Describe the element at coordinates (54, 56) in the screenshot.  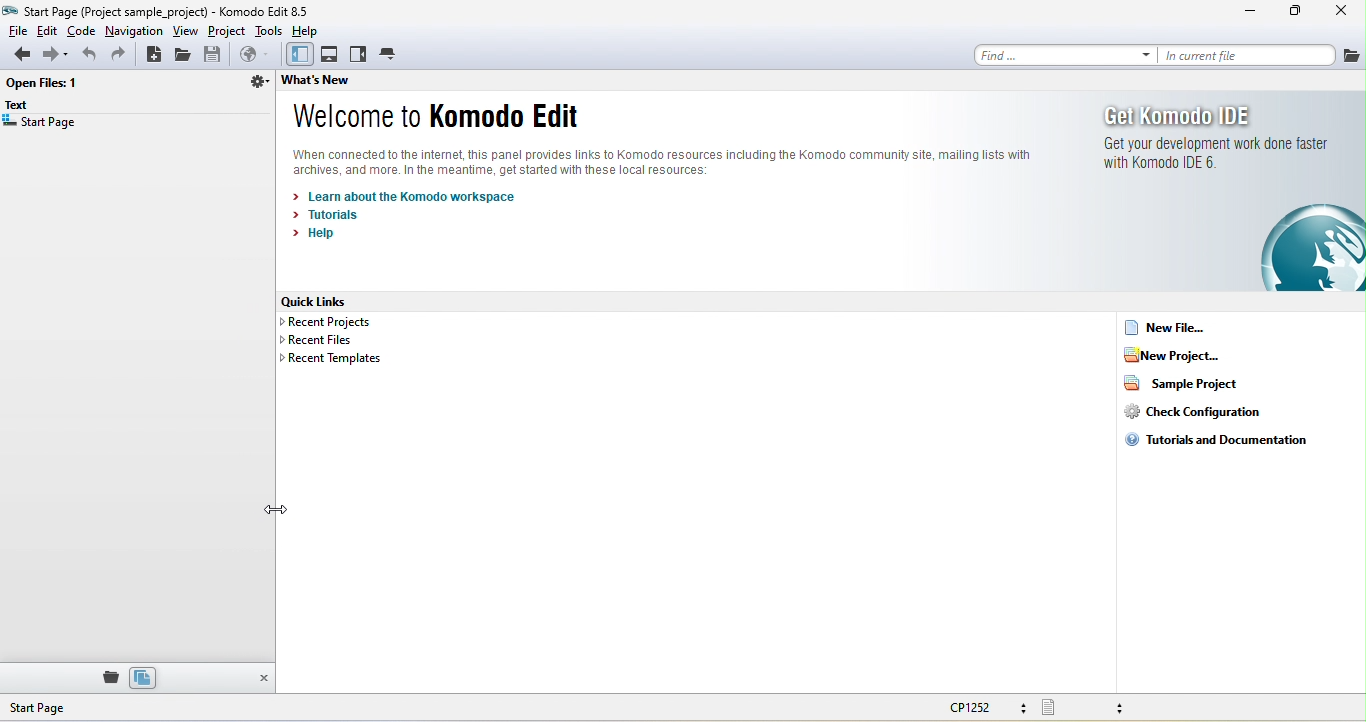
I see `forward` at that location.